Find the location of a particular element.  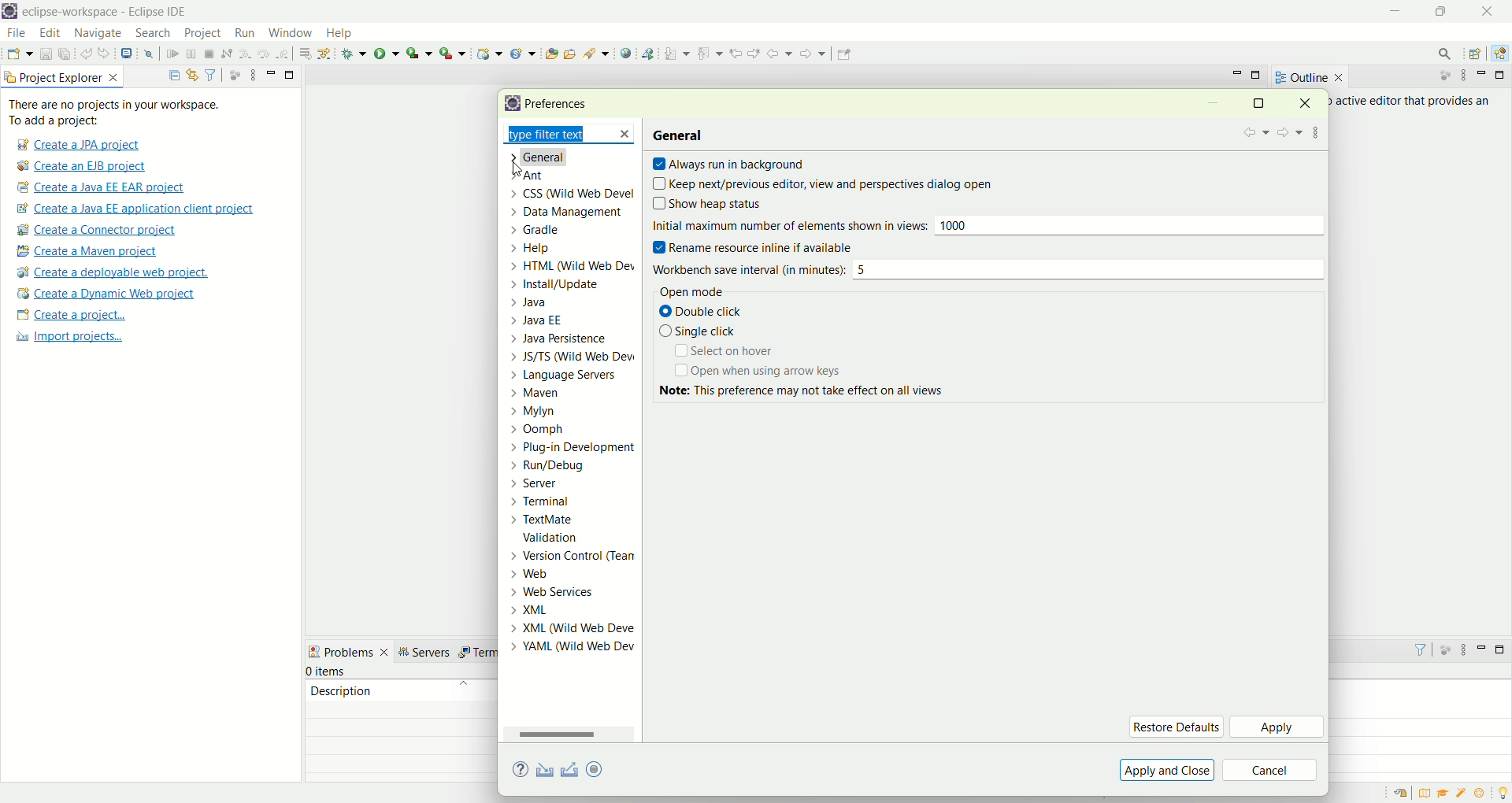

maximize is located at coordinates (1503, 75).